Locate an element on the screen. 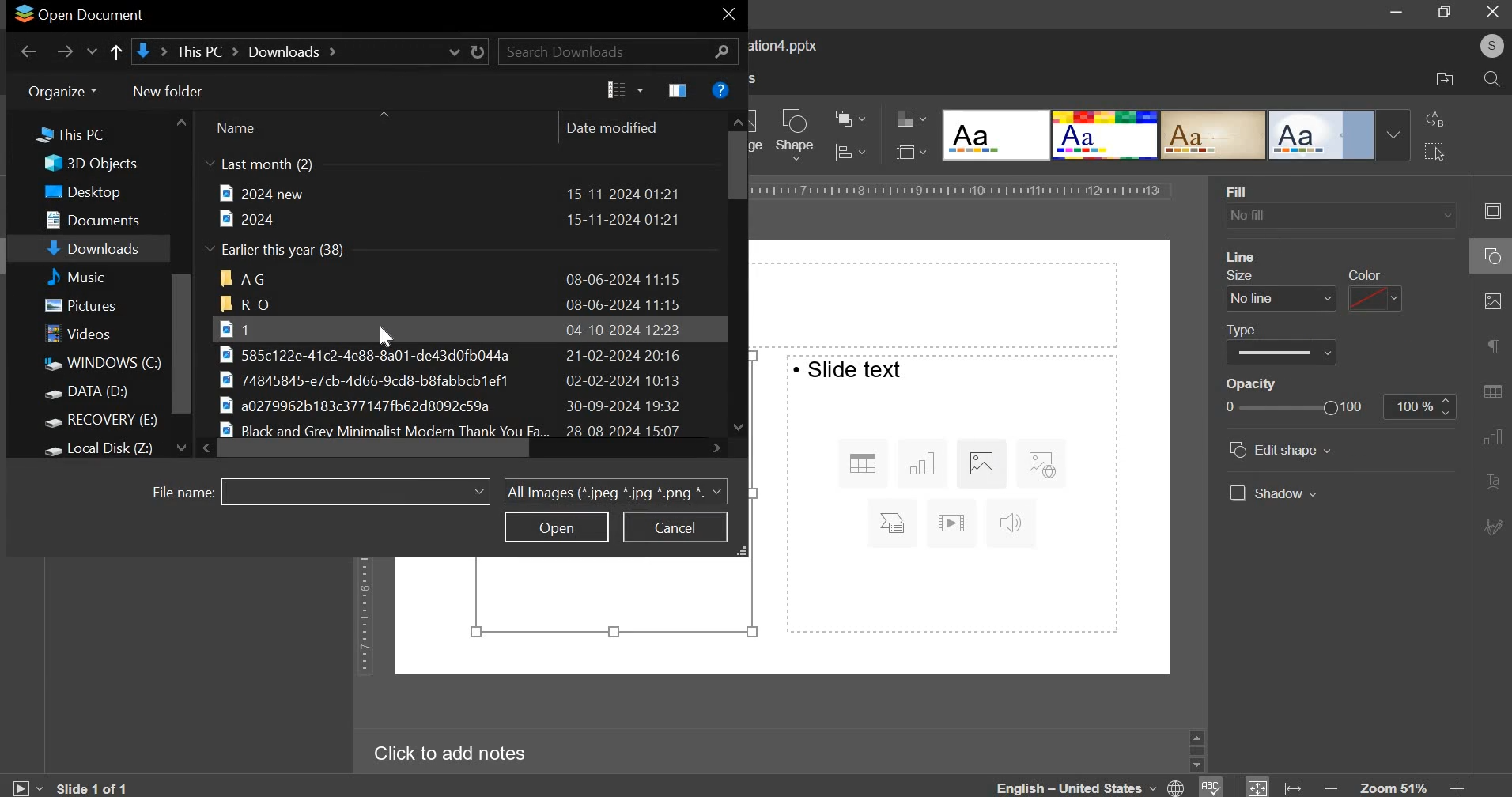 The image size is (1512, 797). slider is located at coordinates (1196, 750).